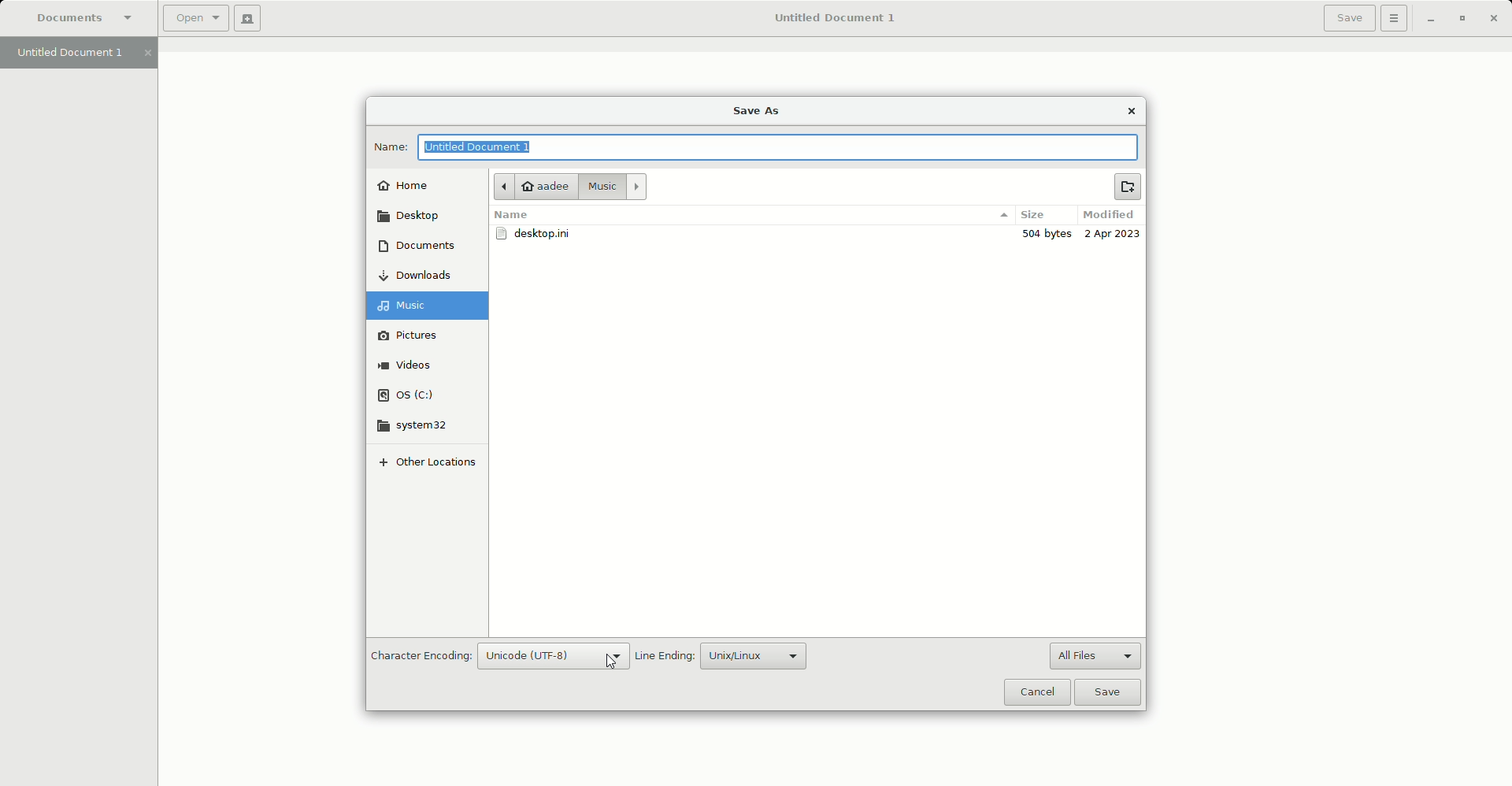 The height and width of the screenshot is (786, 1512). I want to click on Size, so click(1031, 216).